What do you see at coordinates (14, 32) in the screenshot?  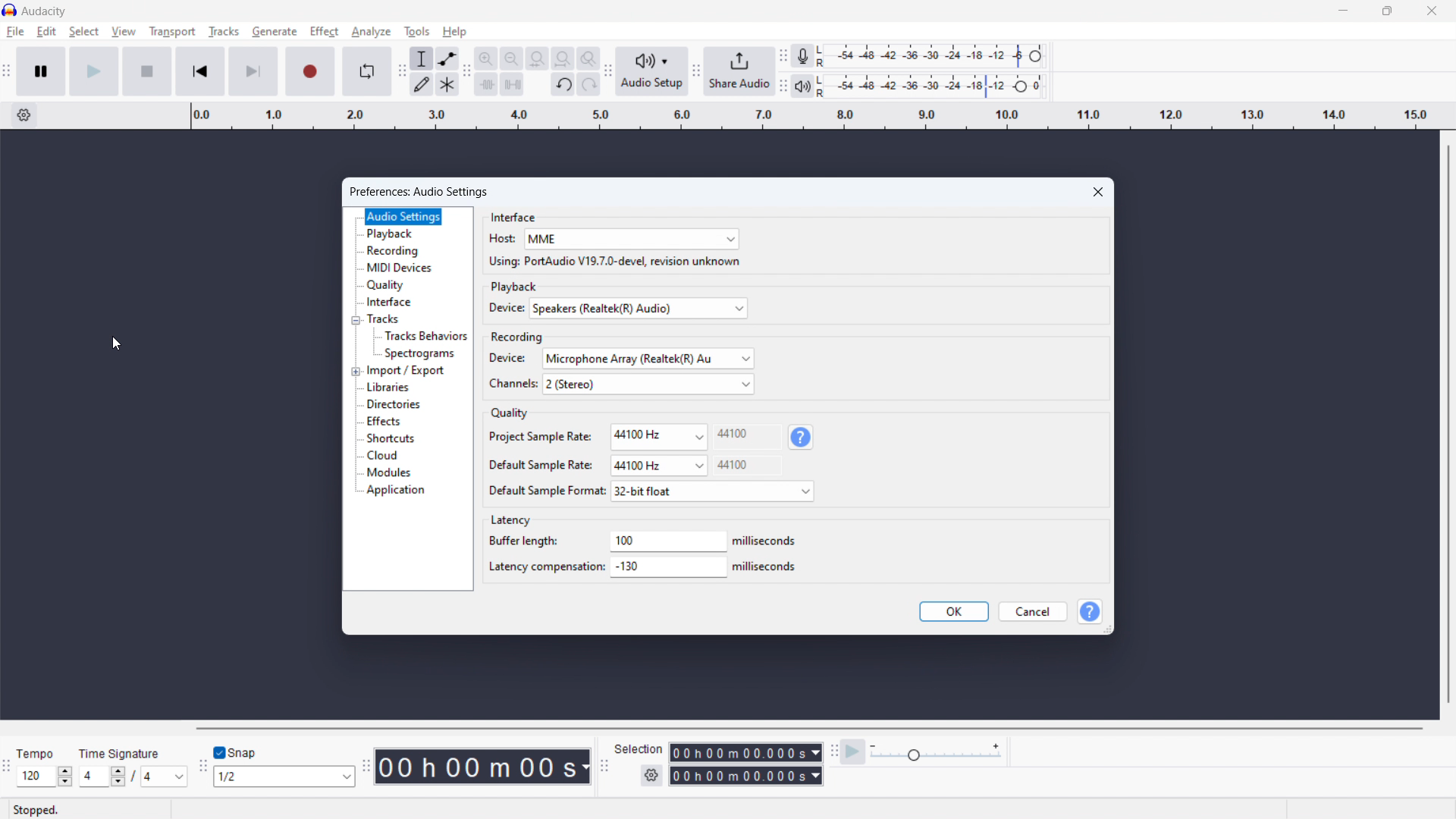 I see `file` at bounding box center [14, 32].